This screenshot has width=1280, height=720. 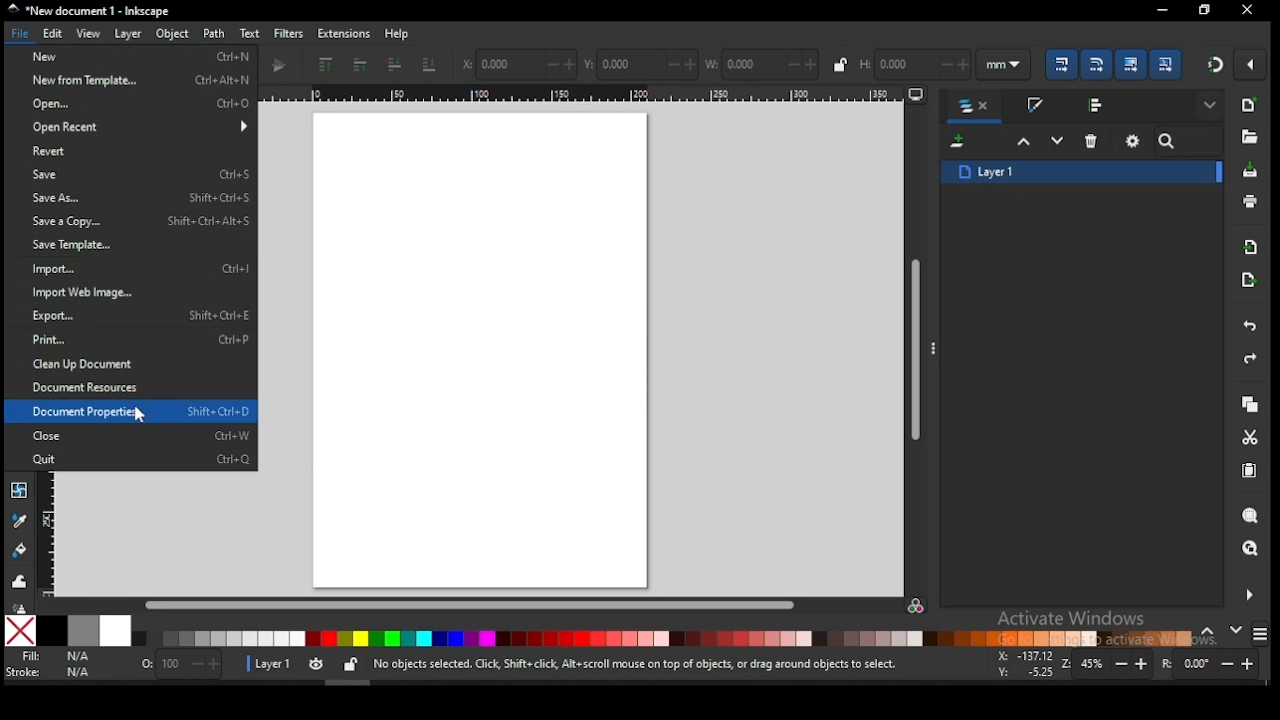 What do you see at coordinates (1249, 405) in the screenshot?
I see `copy` at bounding box center [1249, 405].